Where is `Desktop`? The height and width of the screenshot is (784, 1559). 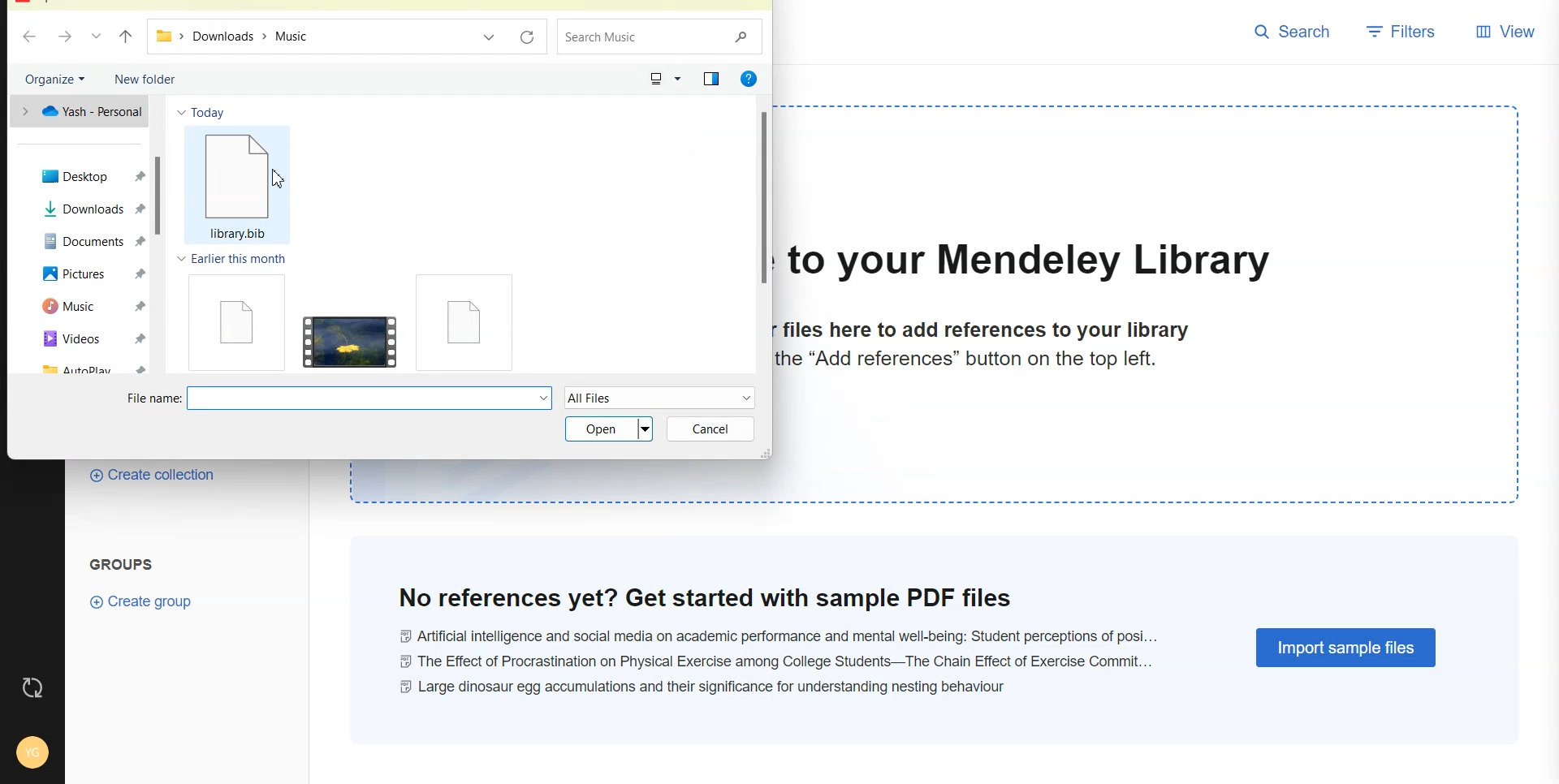
Desktop is located at coordinates (78, 175).